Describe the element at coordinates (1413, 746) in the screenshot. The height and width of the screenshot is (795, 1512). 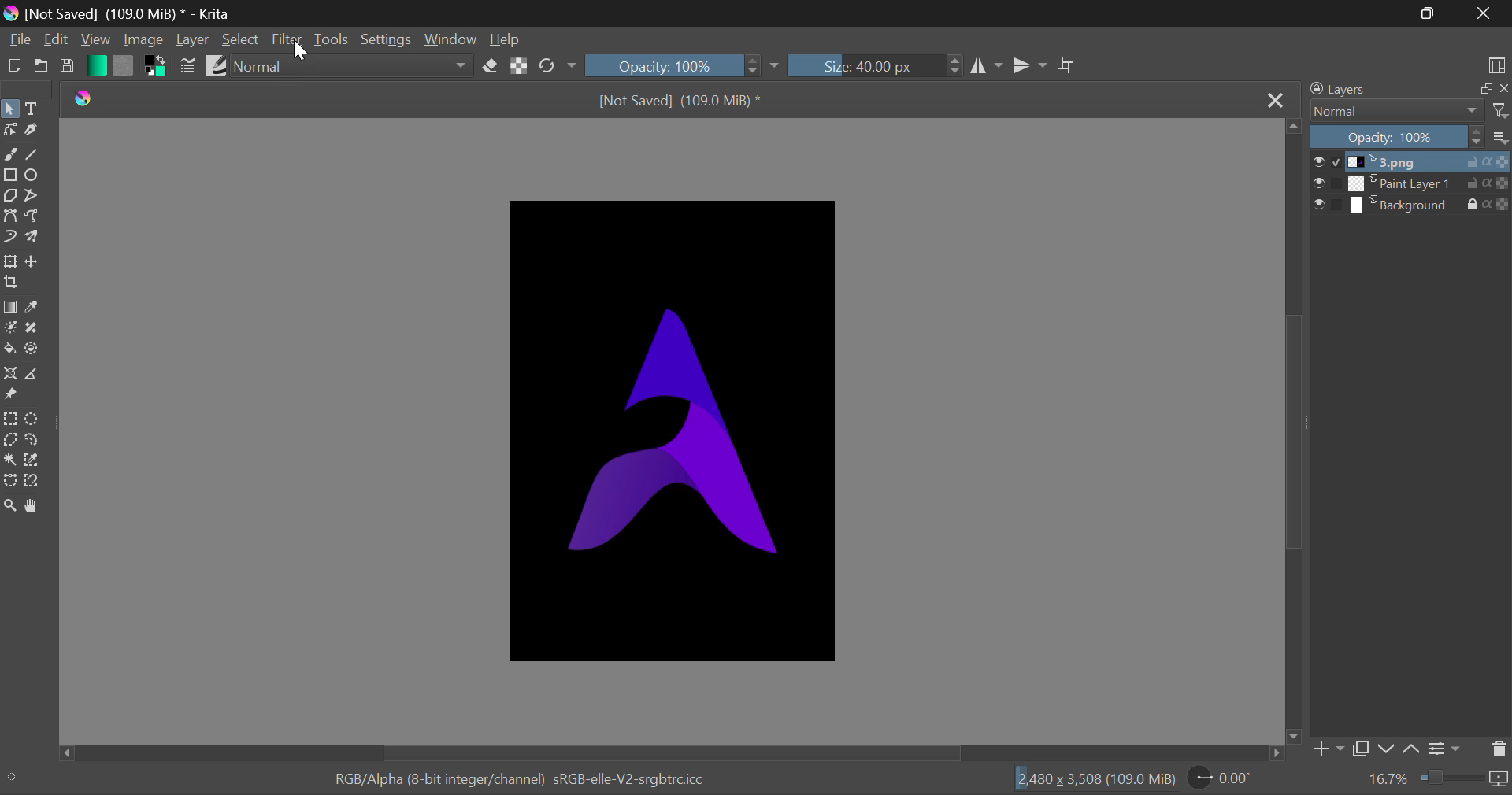
I see `Move Layer Up` at that location.